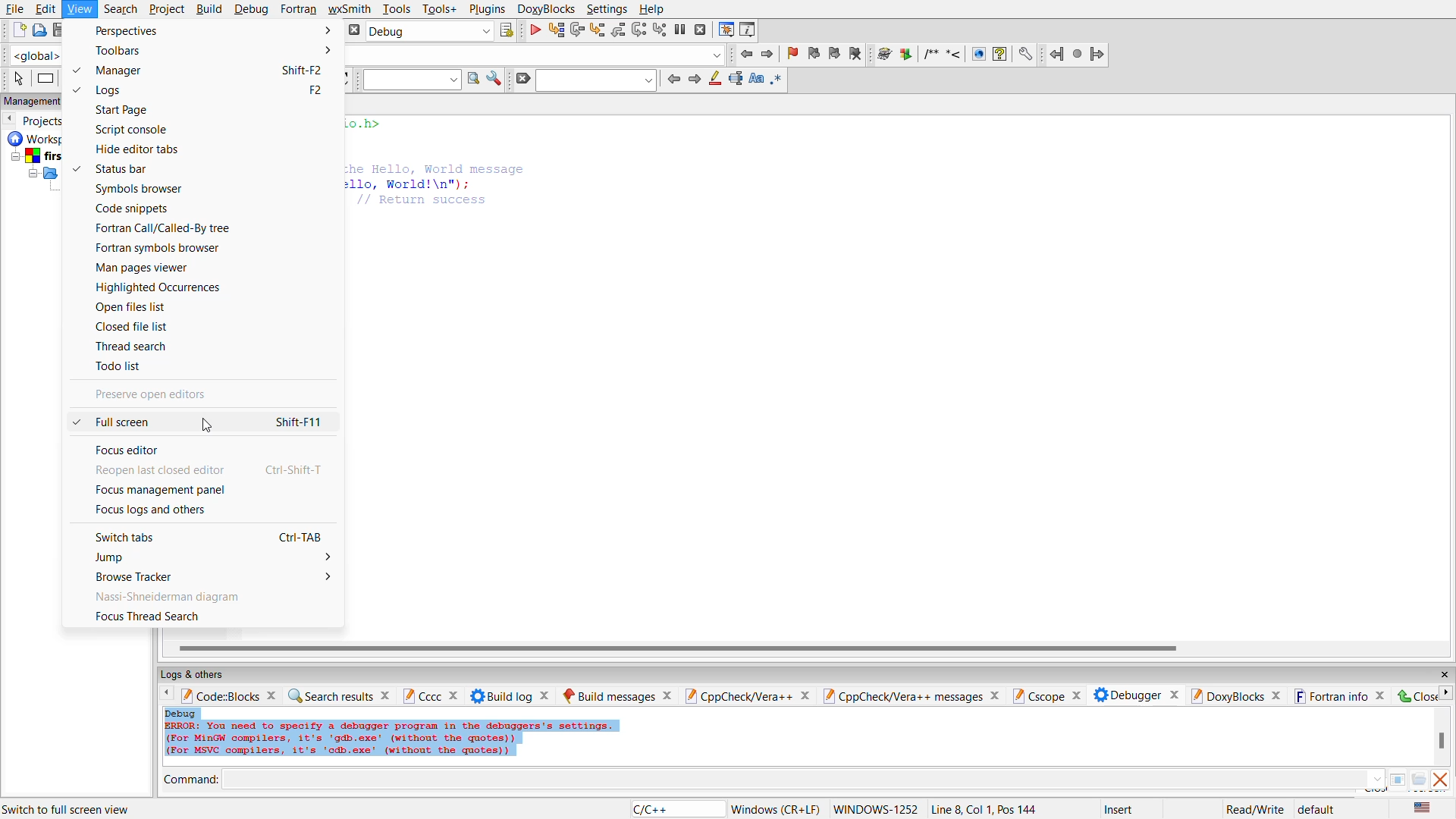  Describe the element at coordinates (609, 9) in the screenshot. I see `settings` at that location.